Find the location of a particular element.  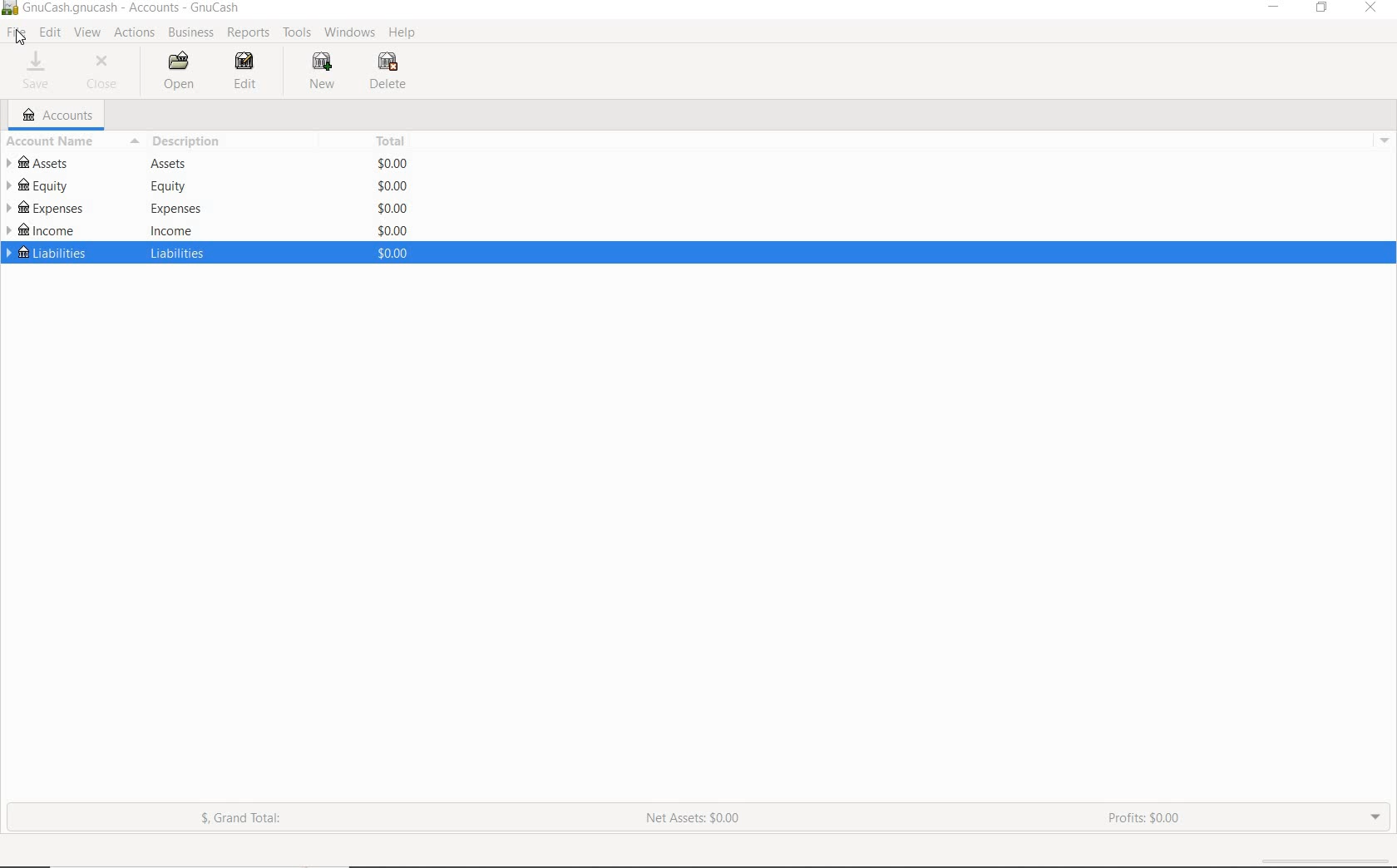

equity is located at coordinates (165, 187).